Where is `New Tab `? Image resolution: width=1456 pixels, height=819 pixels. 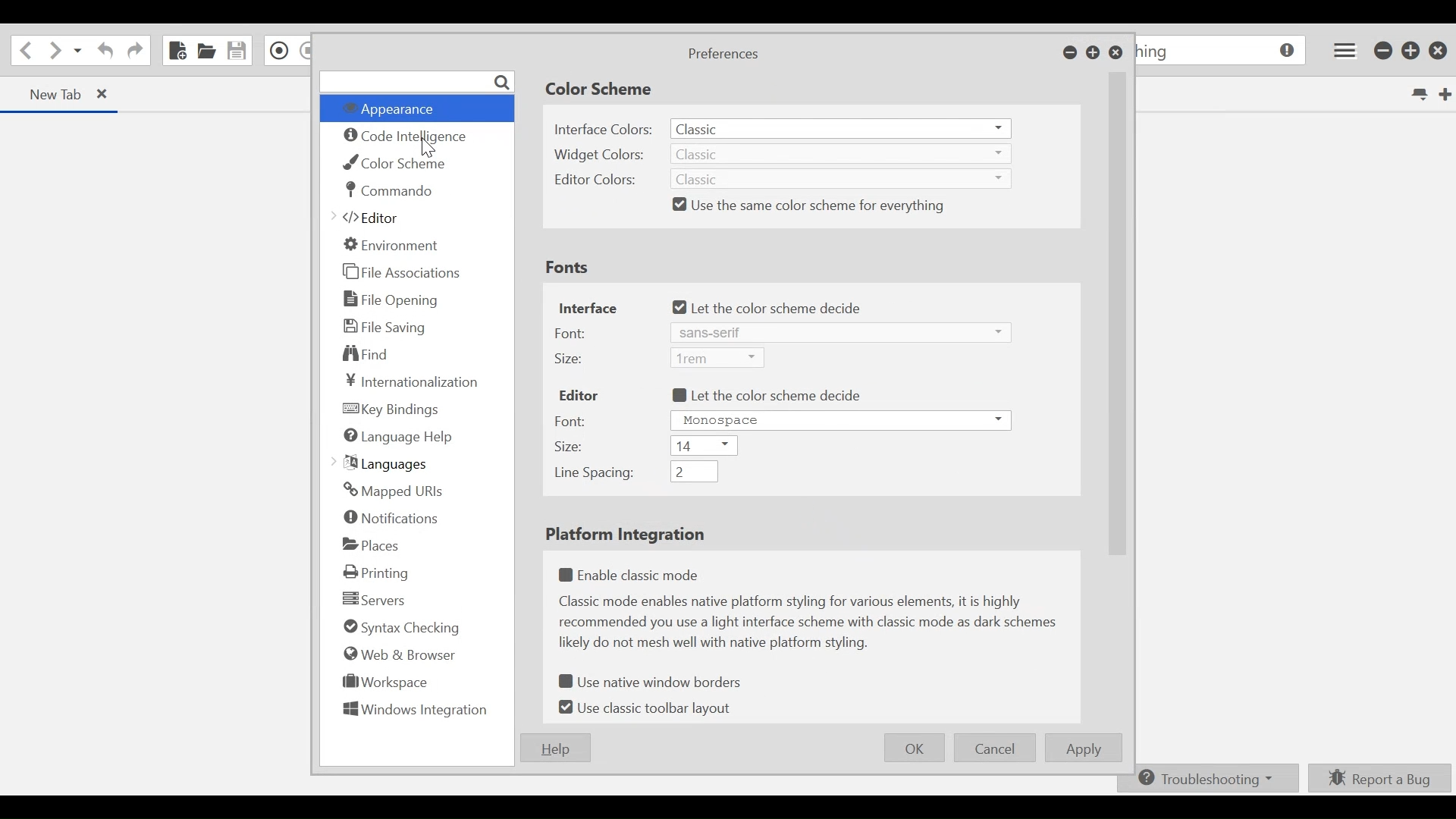 New Tab  is located at coordinates (1443, 93).